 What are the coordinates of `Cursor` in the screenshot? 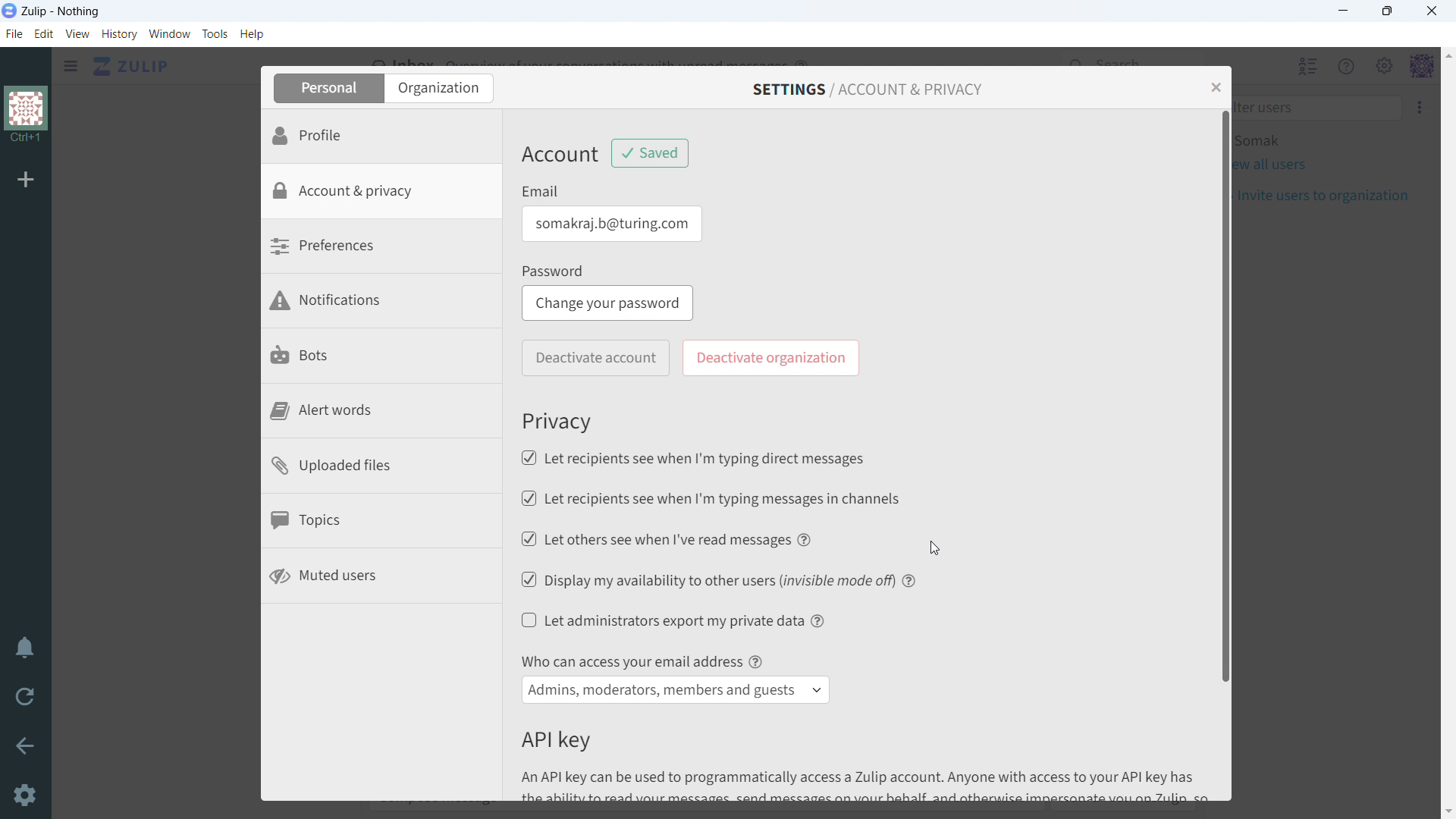 It's located at (935, 548).